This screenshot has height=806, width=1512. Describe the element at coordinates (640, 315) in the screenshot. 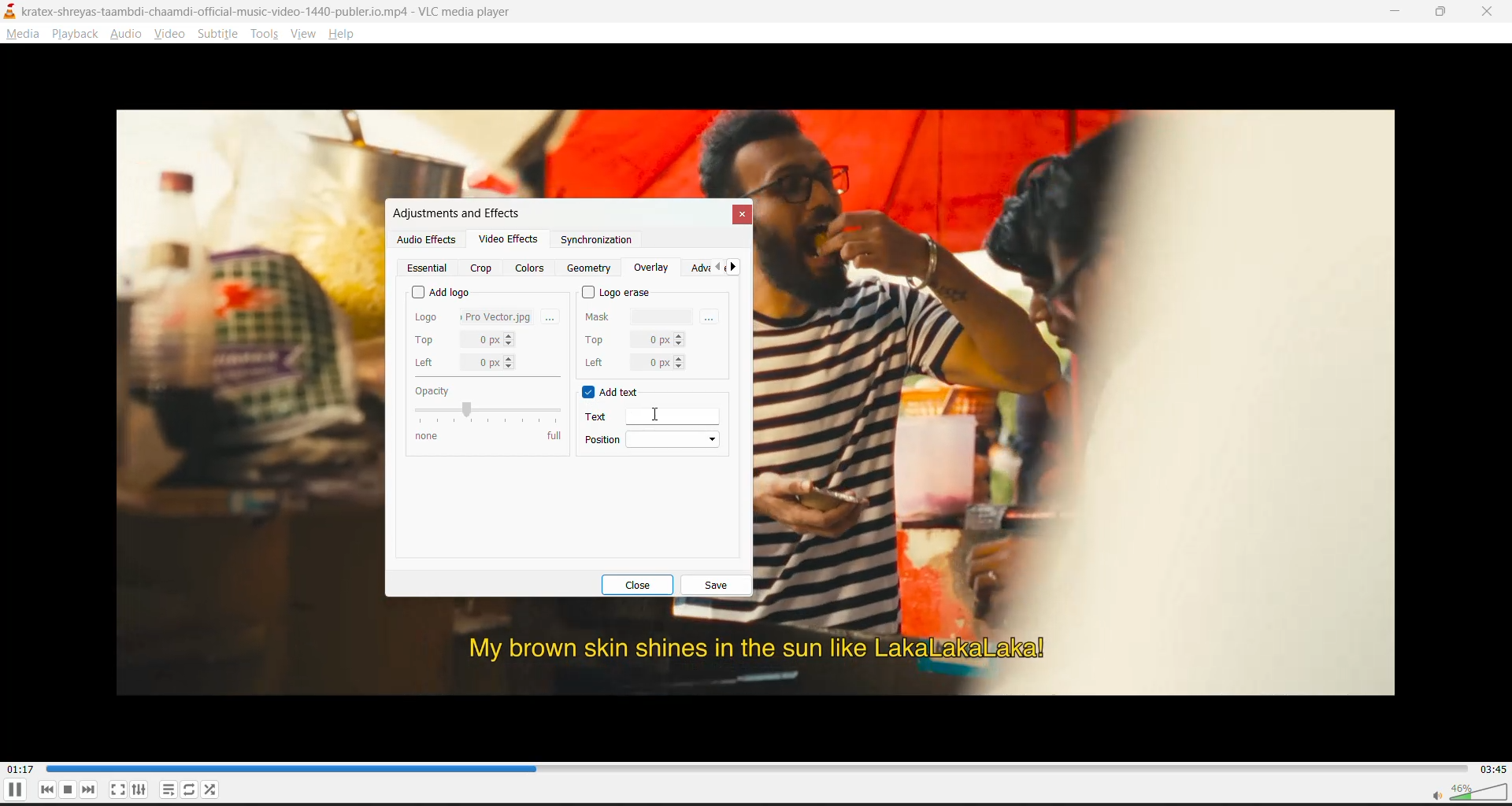

I see `mask` at that location.